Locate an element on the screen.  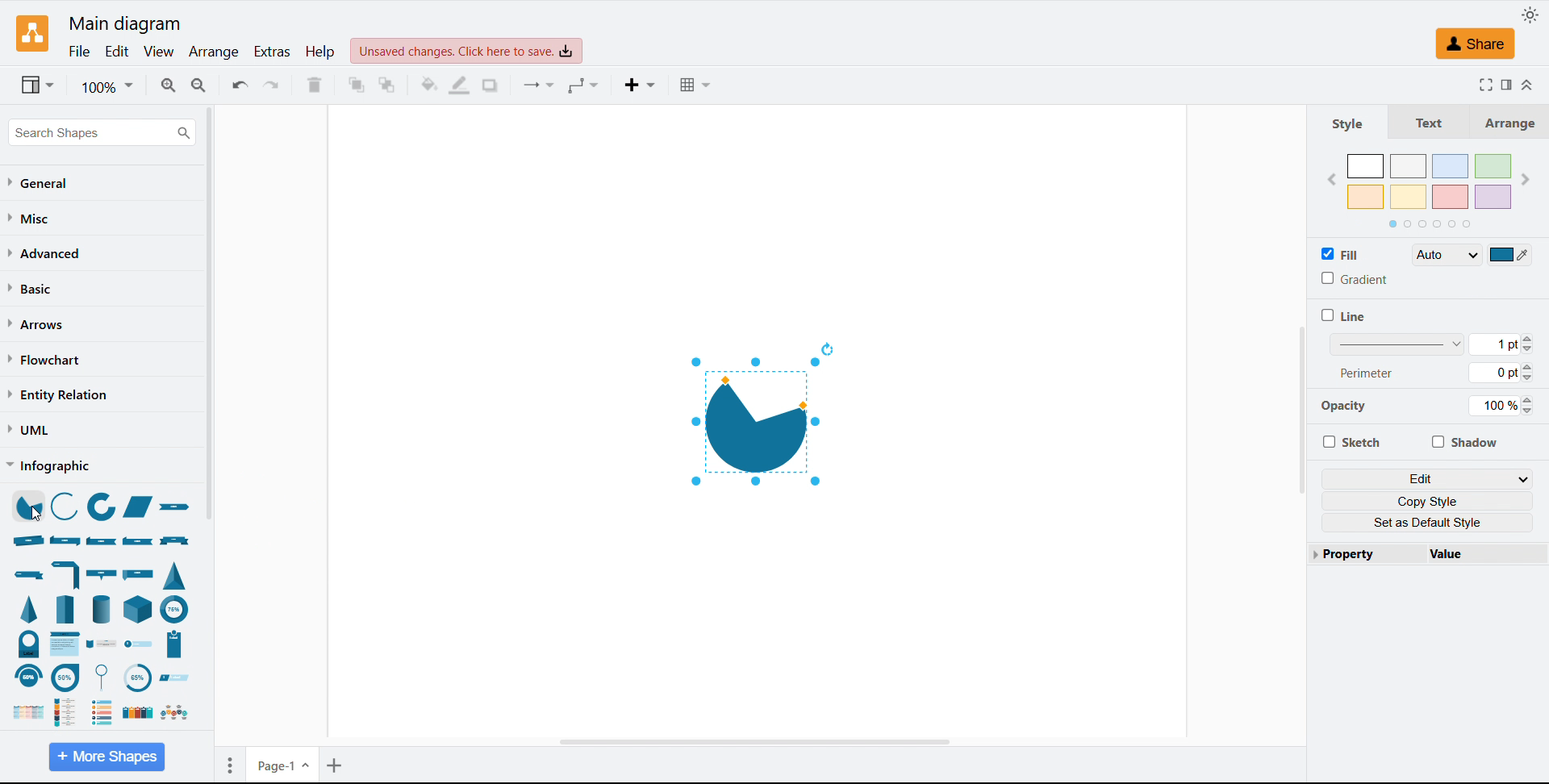
cursor is located at coordinates (35, 516).